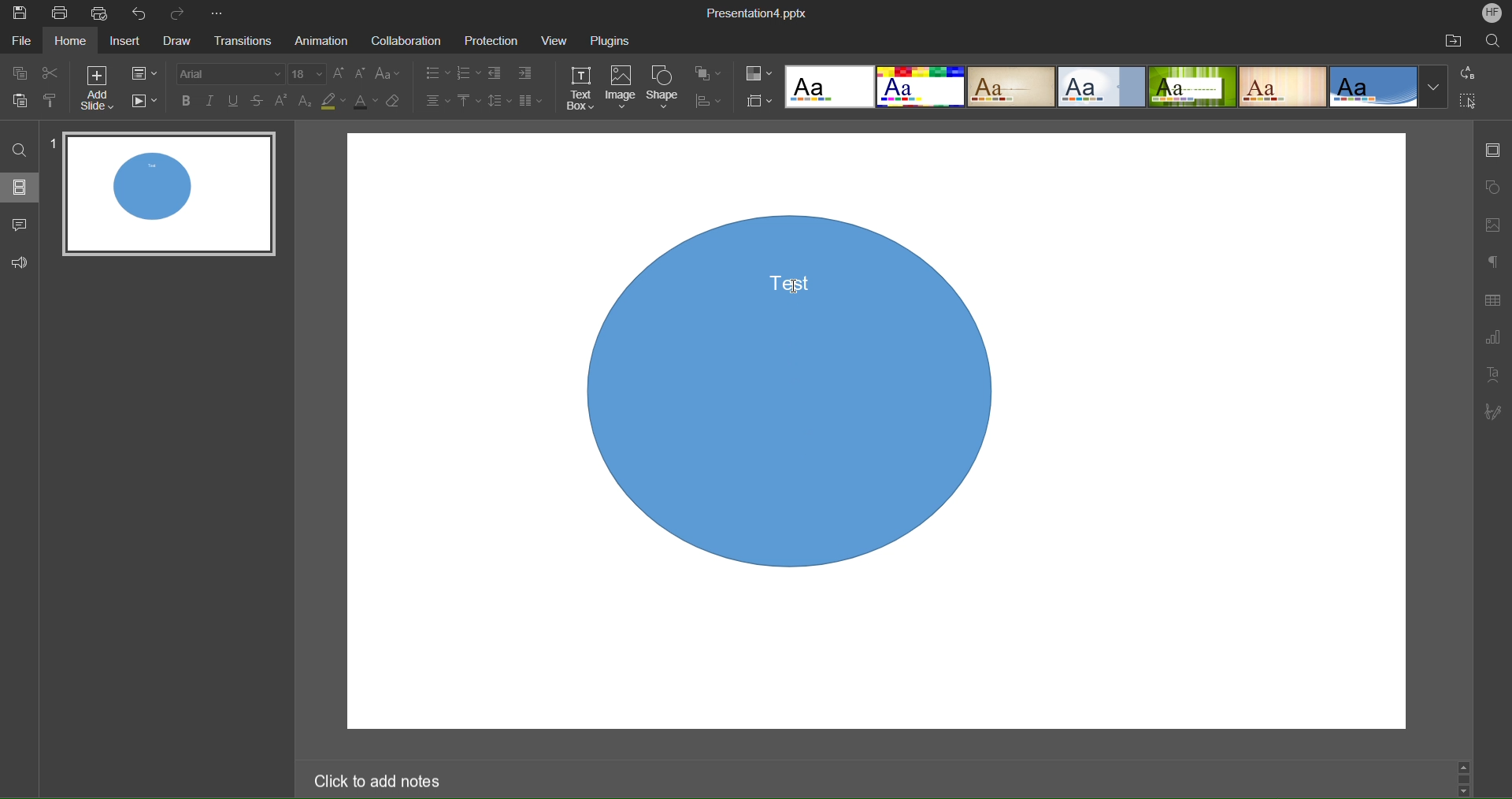  Describe the element at coordinates (1492, 414) in the screenshot. I see `Signature` at that location.